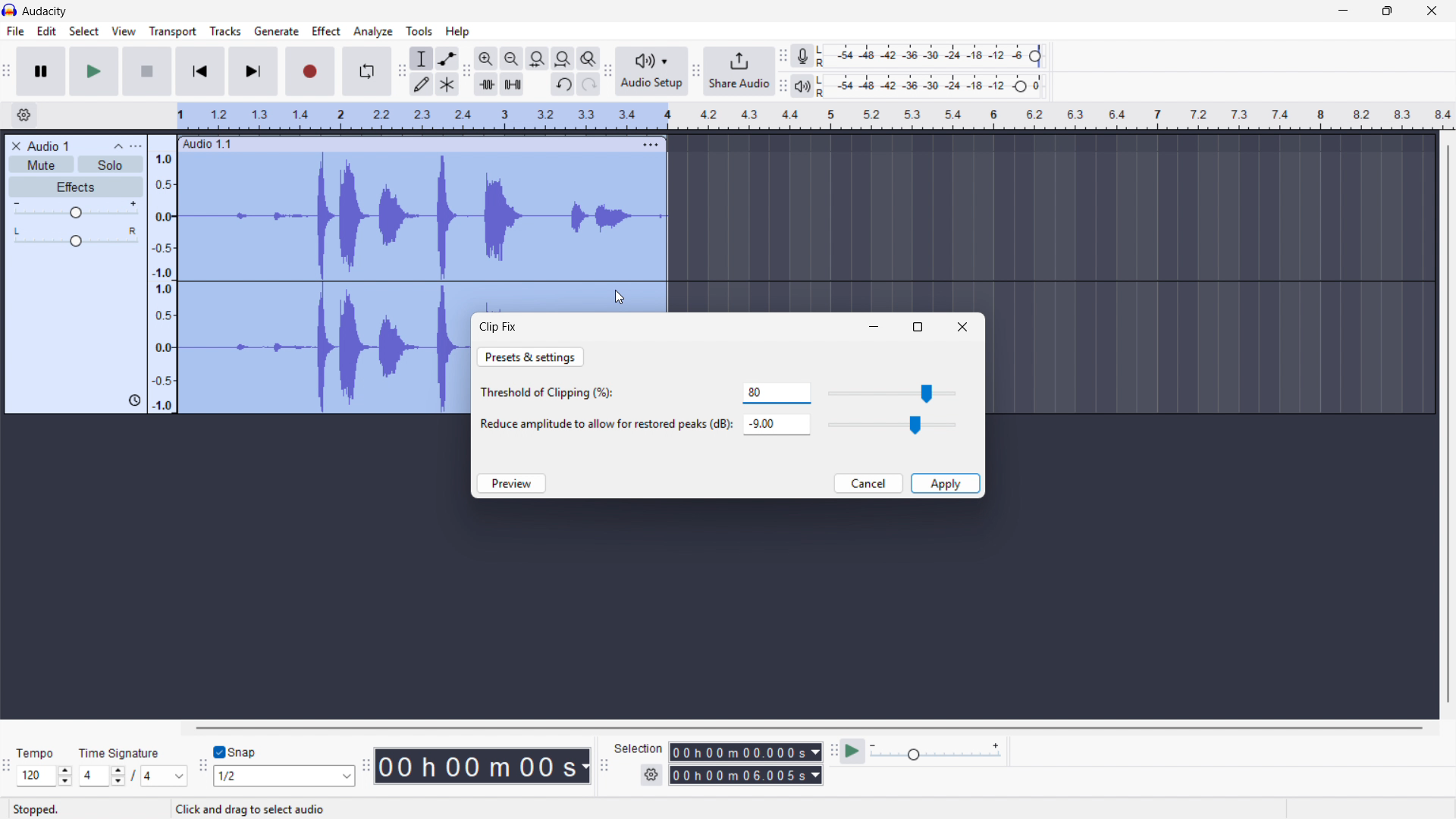  I want to click on Share audio, so click(739, 71).